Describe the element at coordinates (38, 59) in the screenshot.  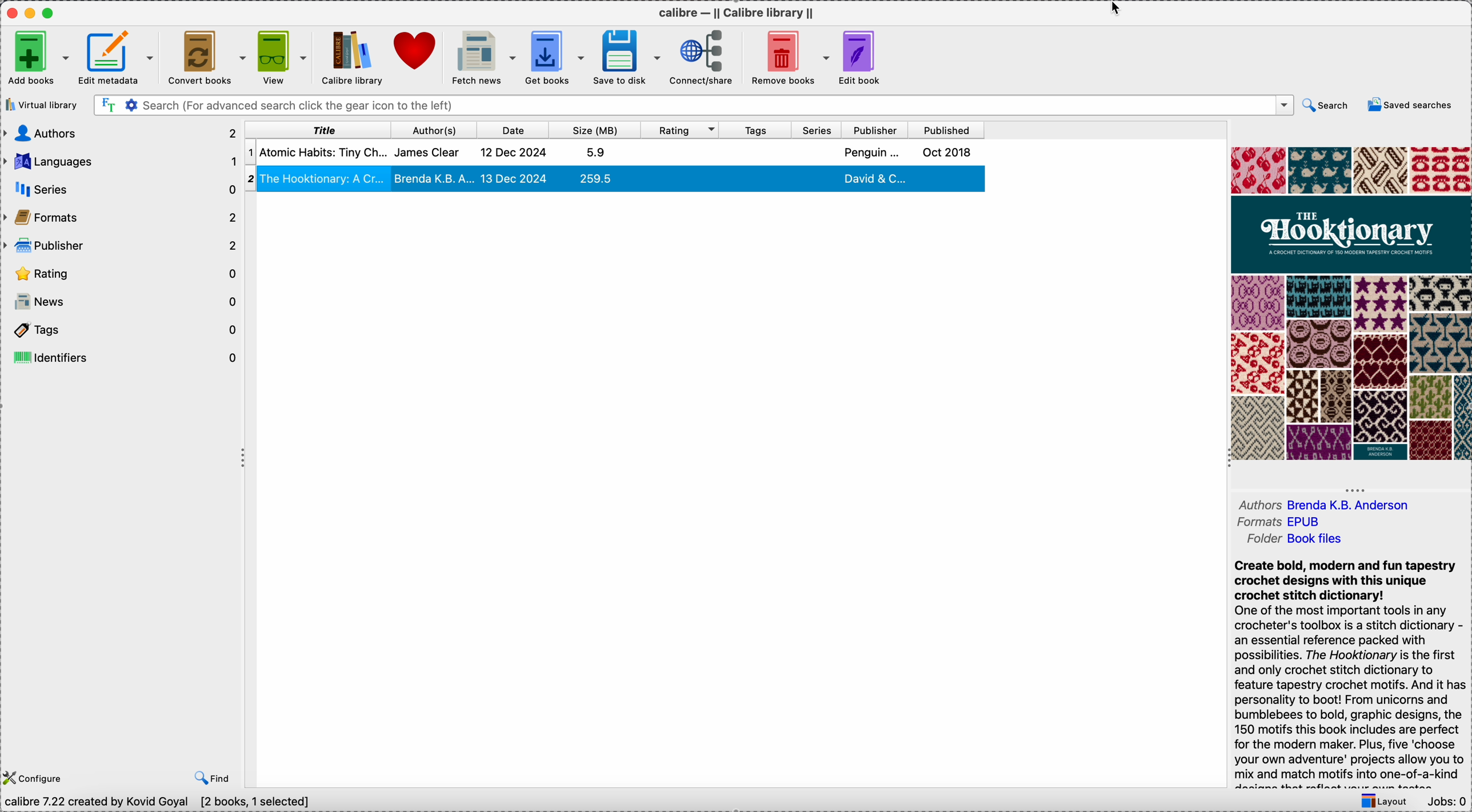
I see `add books` at that location.